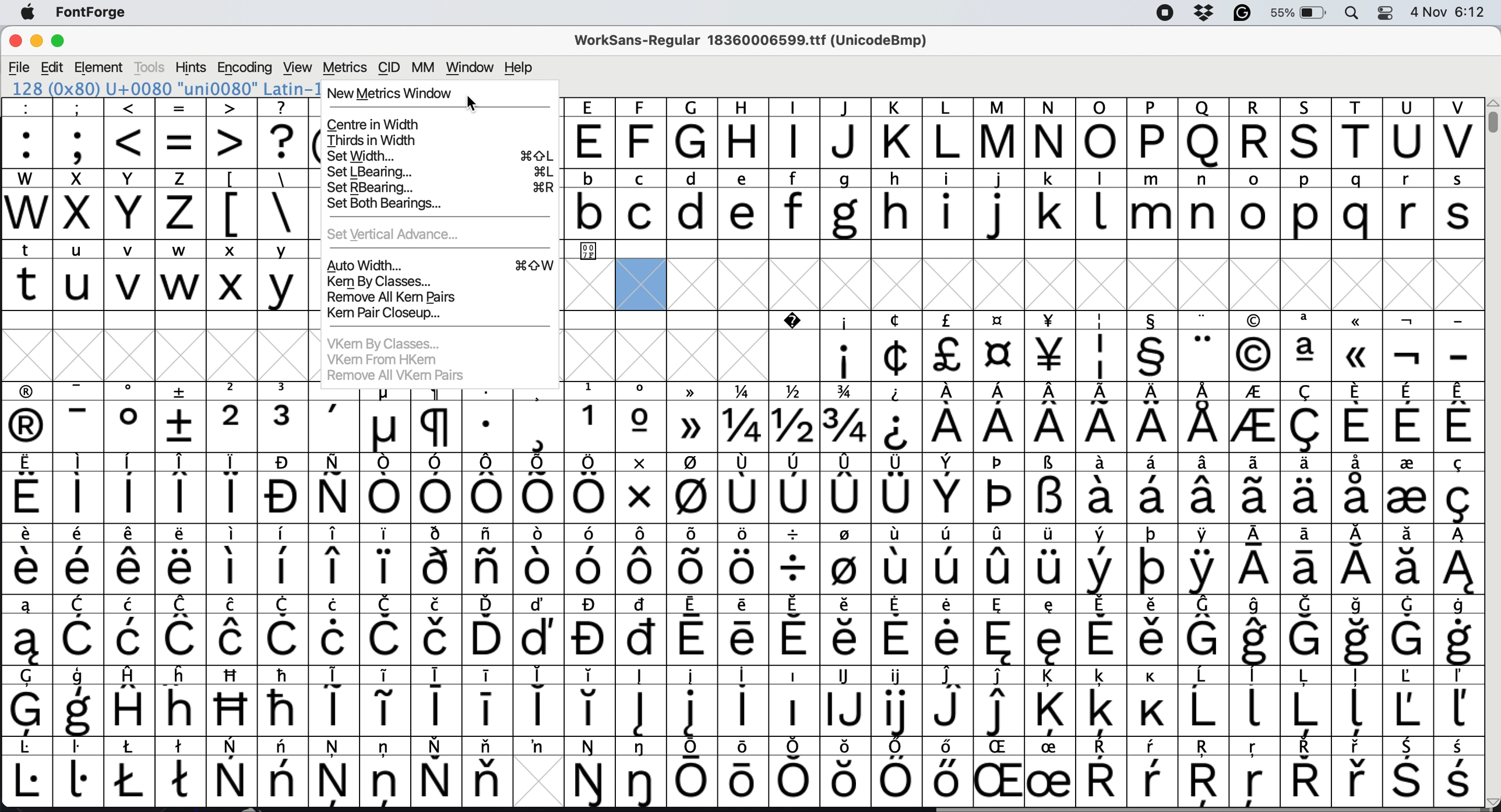 The height and width of the screenshot is (812, 1501). I want to click on lowercase letters, so click(1022, 212).